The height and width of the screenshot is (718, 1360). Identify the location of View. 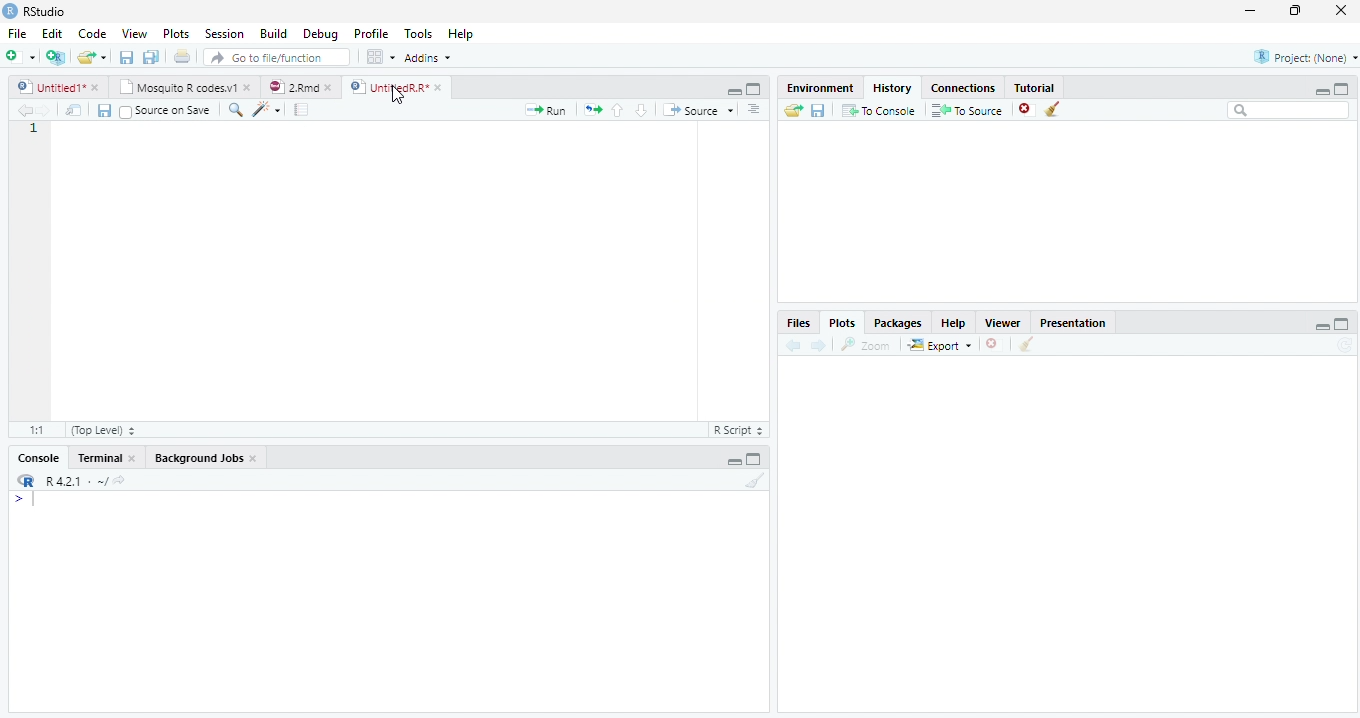
(133, 34).